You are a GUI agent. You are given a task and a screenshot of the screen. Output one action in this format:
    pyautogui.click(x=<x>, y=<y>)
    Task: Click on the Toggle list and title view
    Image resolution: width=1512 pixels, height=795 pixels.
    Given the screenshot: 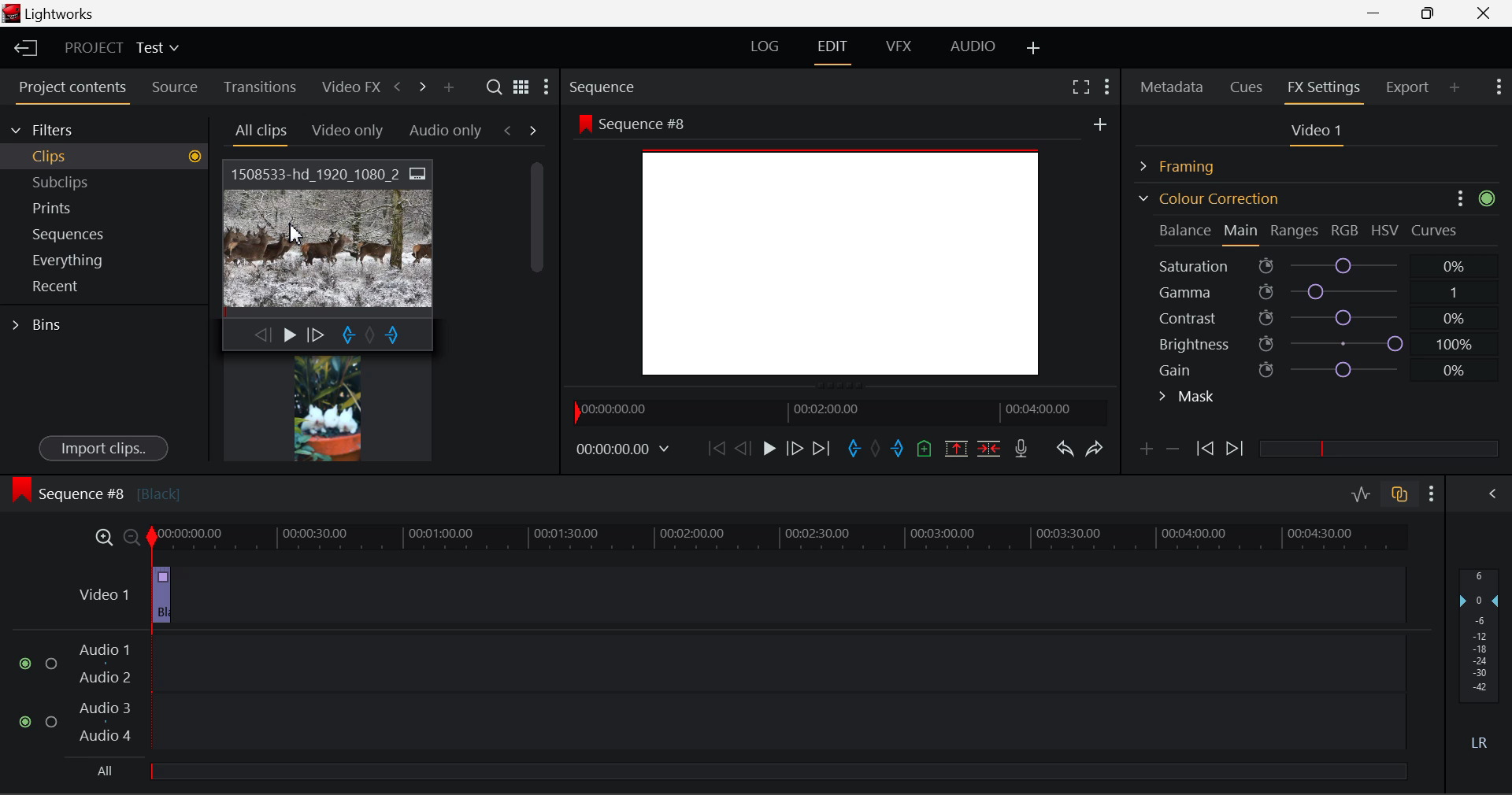 What is the action you would take?
    pyautogui.click(x=521, y=87)
    